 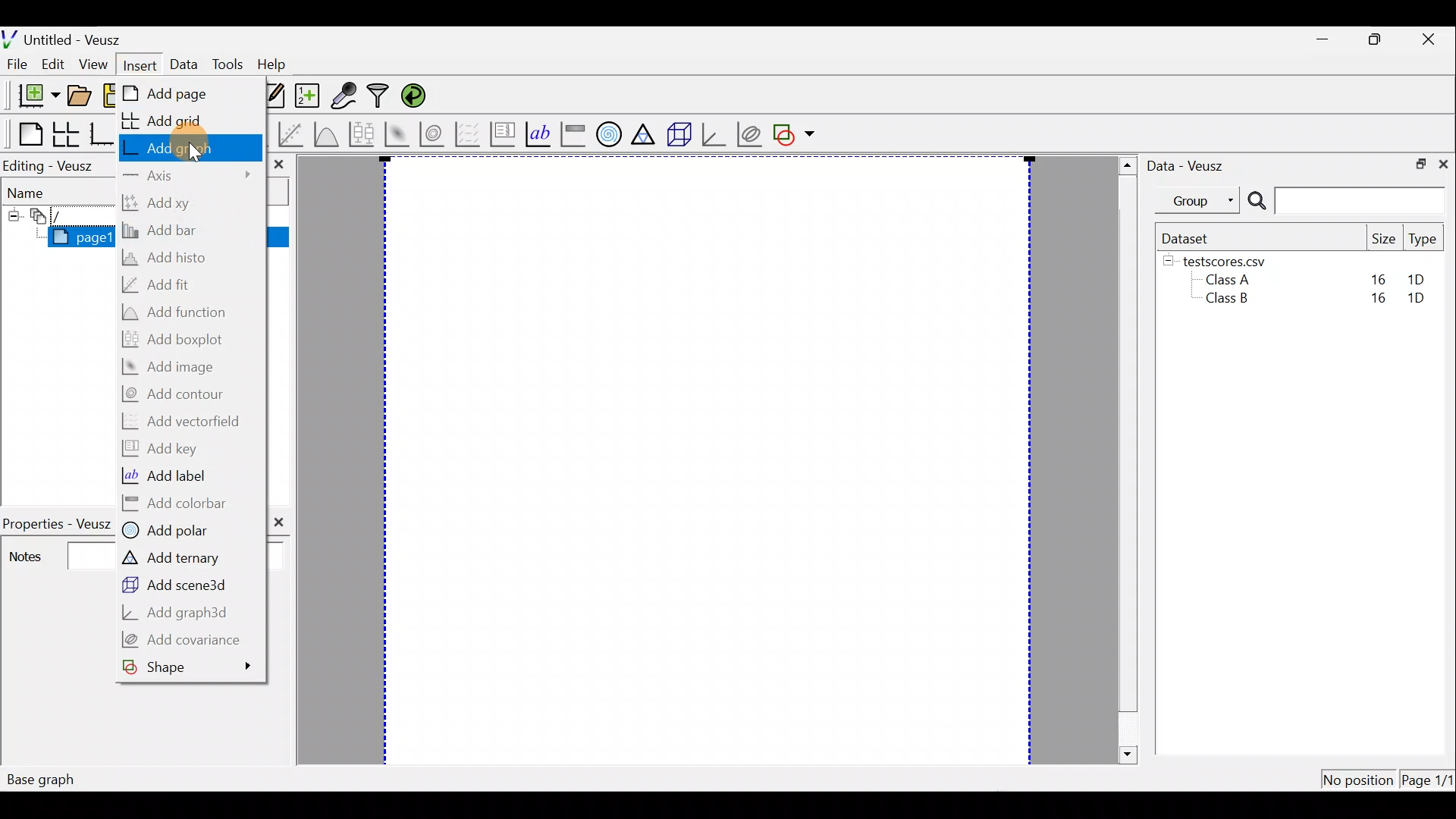 What do you see at coordinates (701, 461) in the screenshot?
I see `Plot area` at bounding box center [701, 461].